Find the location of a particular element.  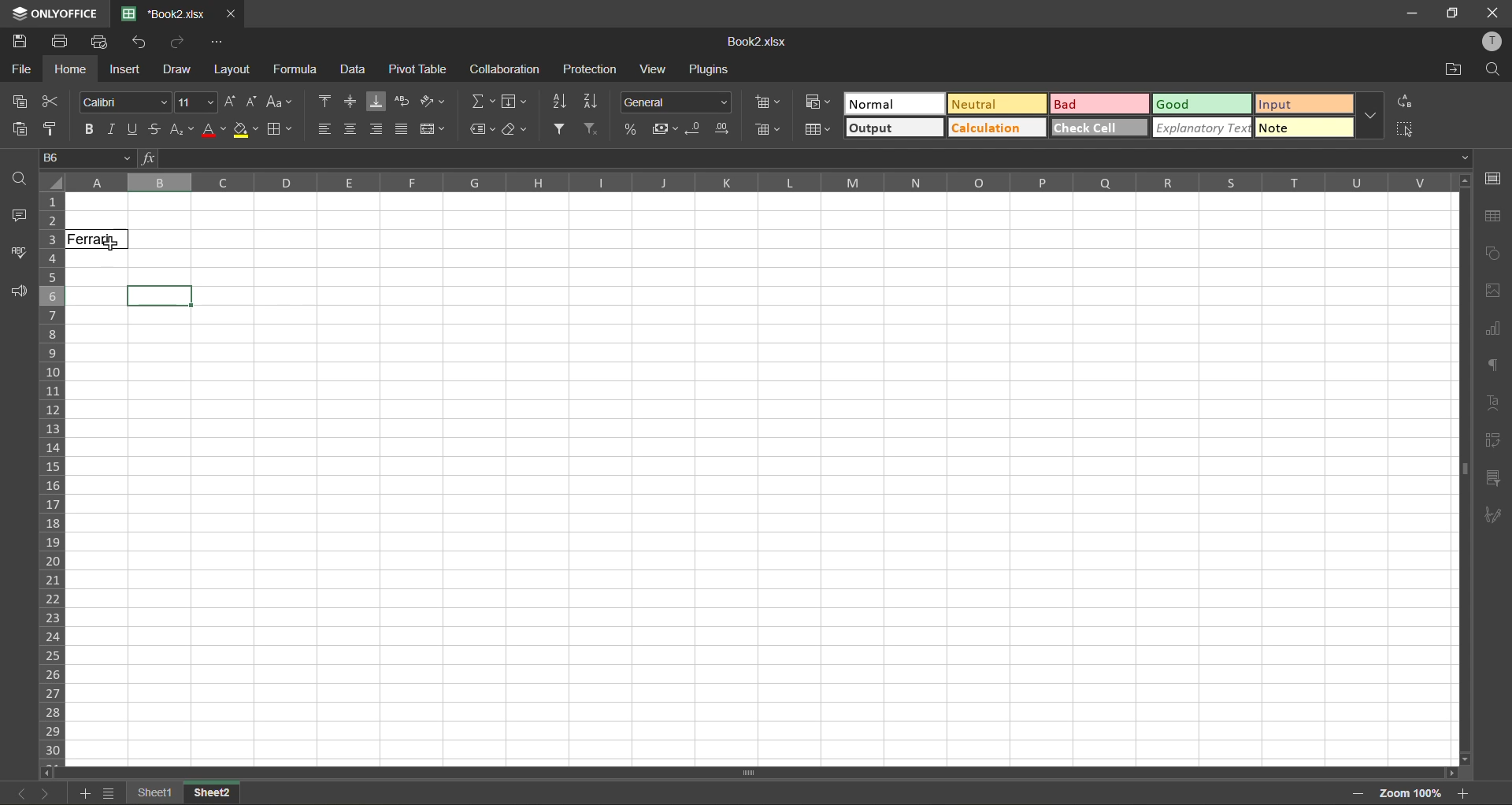

protection is located at coordinates (588, 69).